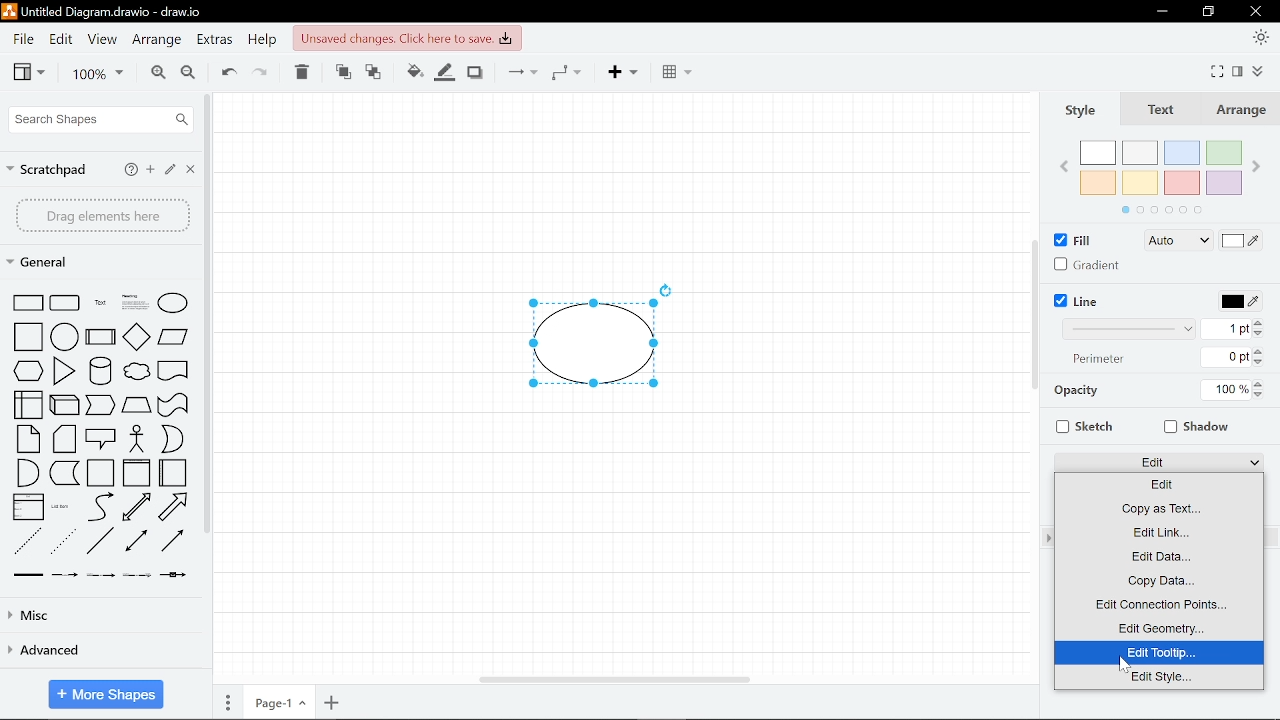  What do you see at coordinates (64, 439) in the screenshot?
I see `card` at bounding box center [64, 439].